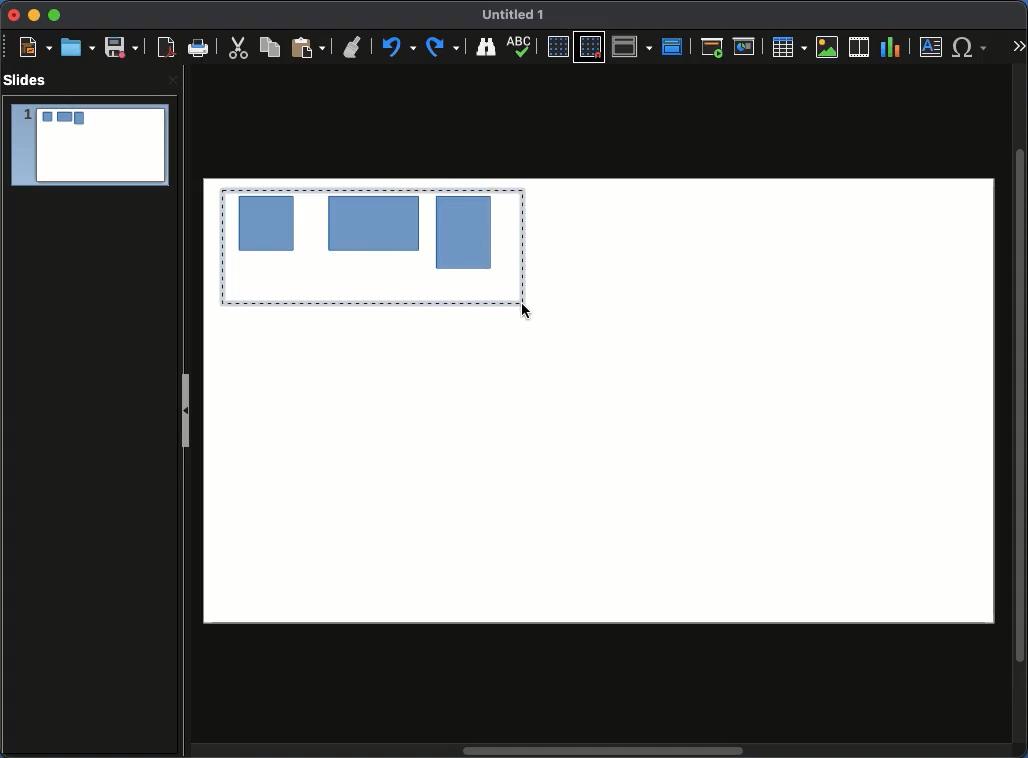  I want to click on Display views, so click(632, 46).